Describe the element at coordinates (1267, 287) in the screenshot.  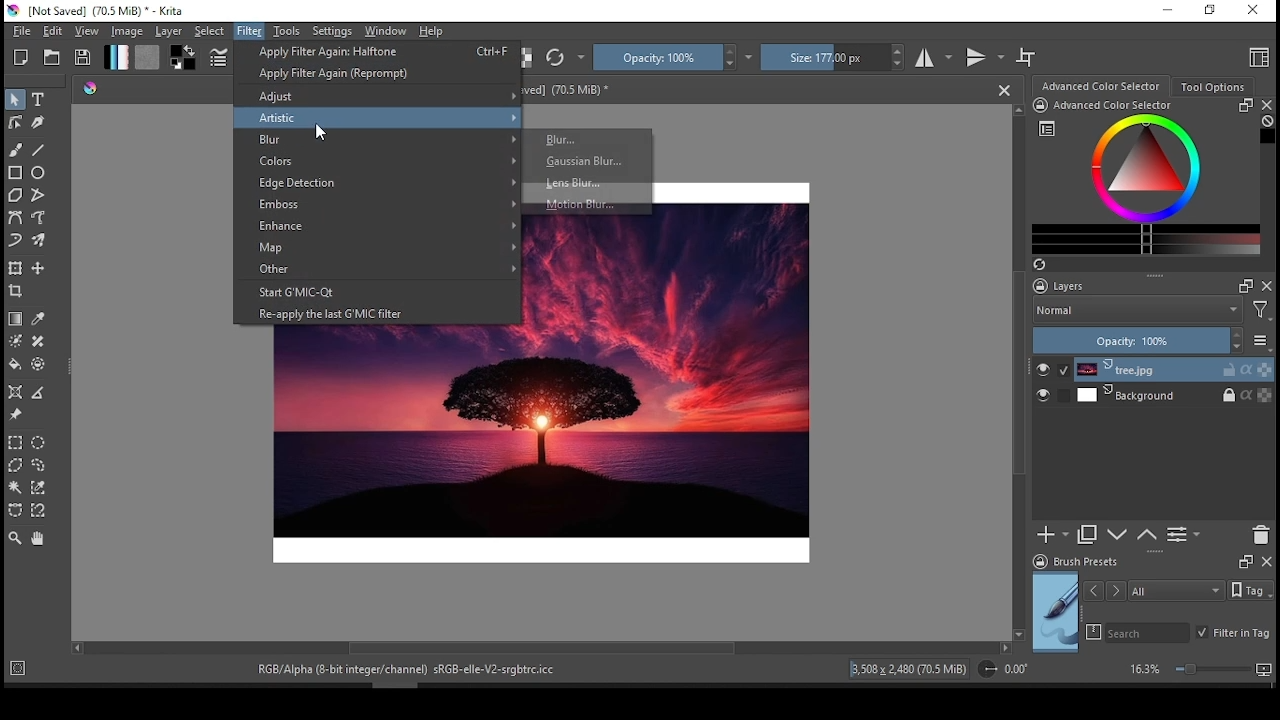
I see `close docker` at that location.